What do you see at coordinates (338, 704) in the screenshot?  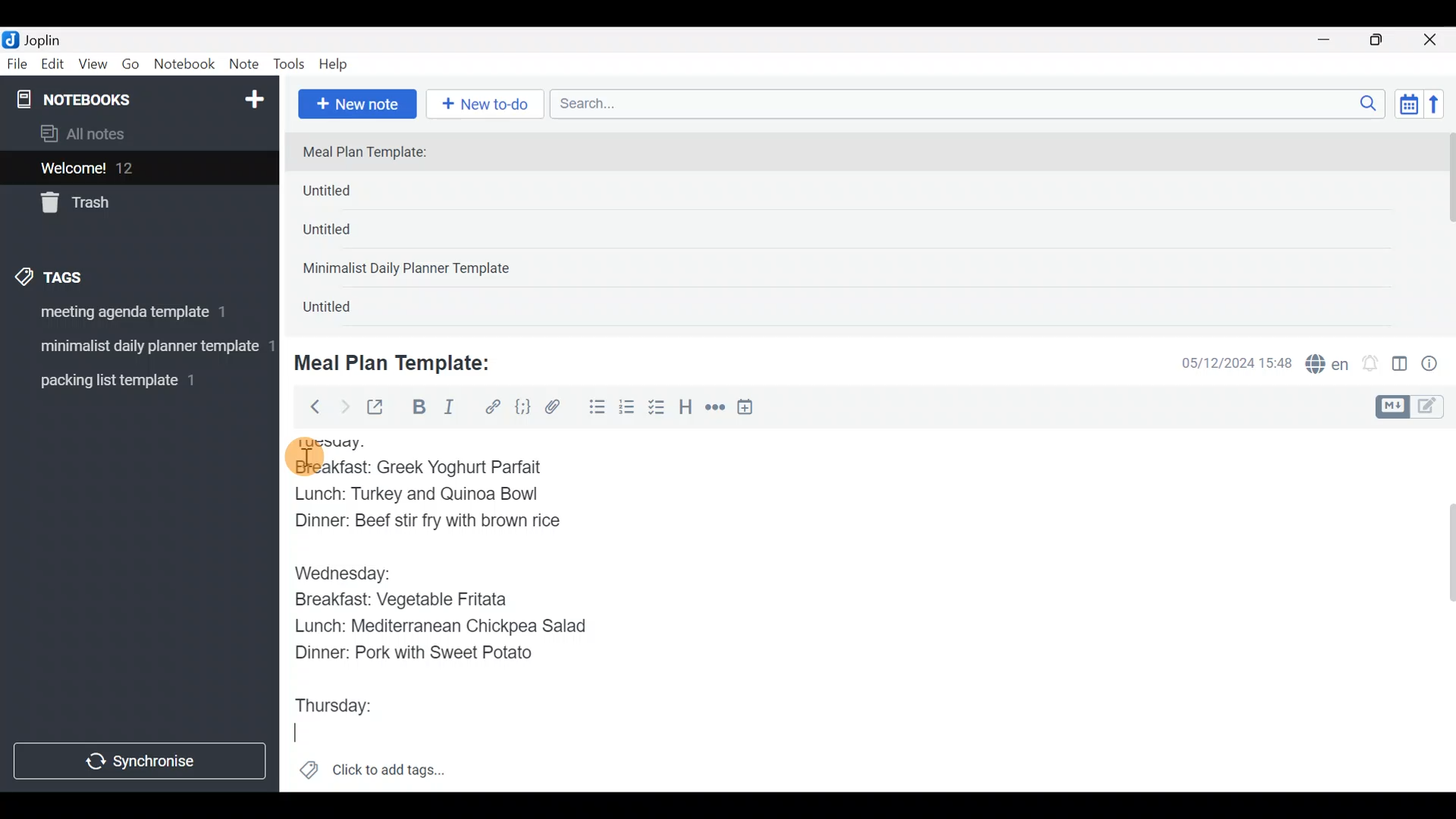 I see `Thursday:` at bounding box center [338, 704].